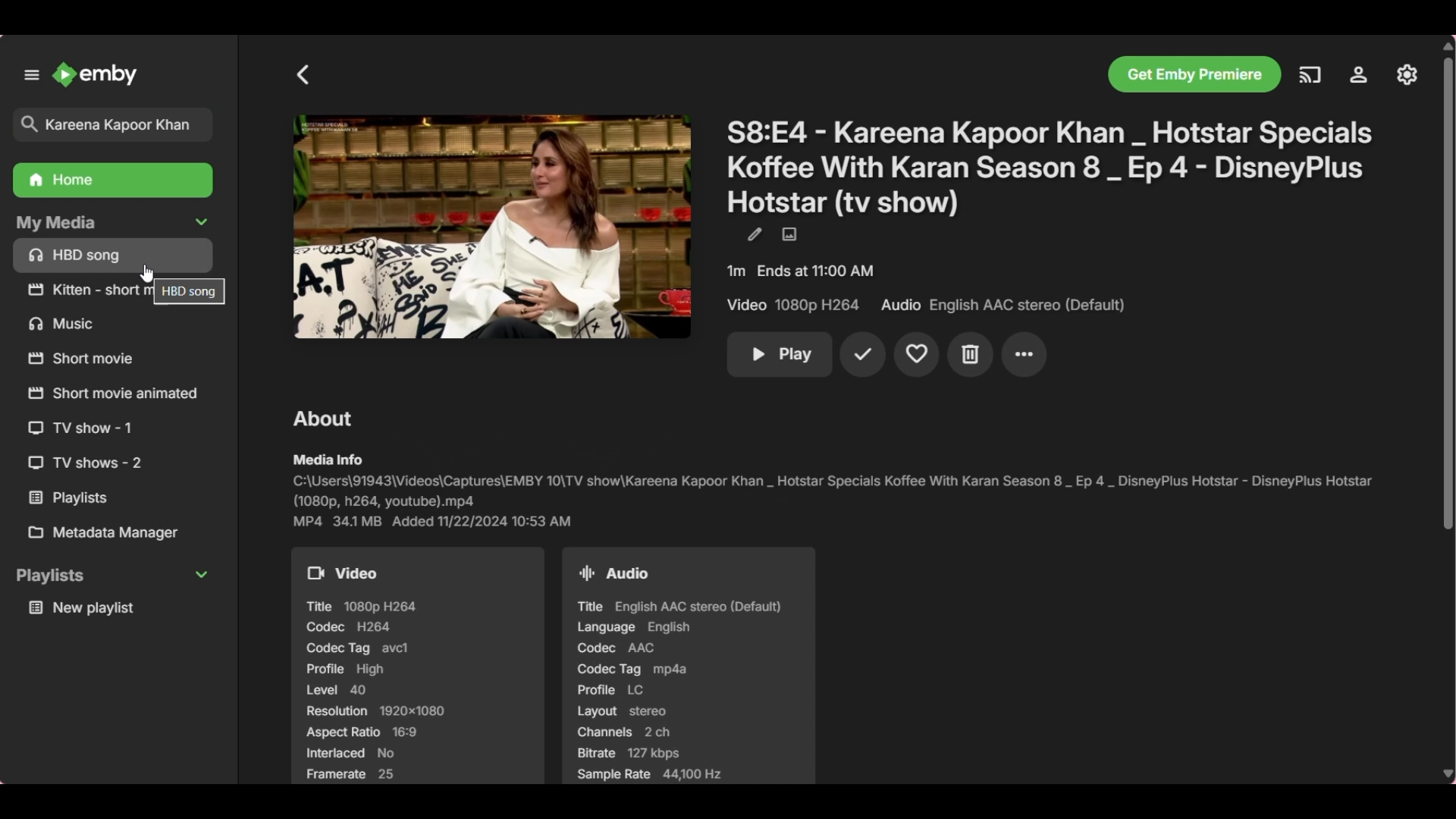  What do you see at coordinates (111, 576) in the screenshot?
I see `Collapse Playlists` at bounding box center [111, 576].